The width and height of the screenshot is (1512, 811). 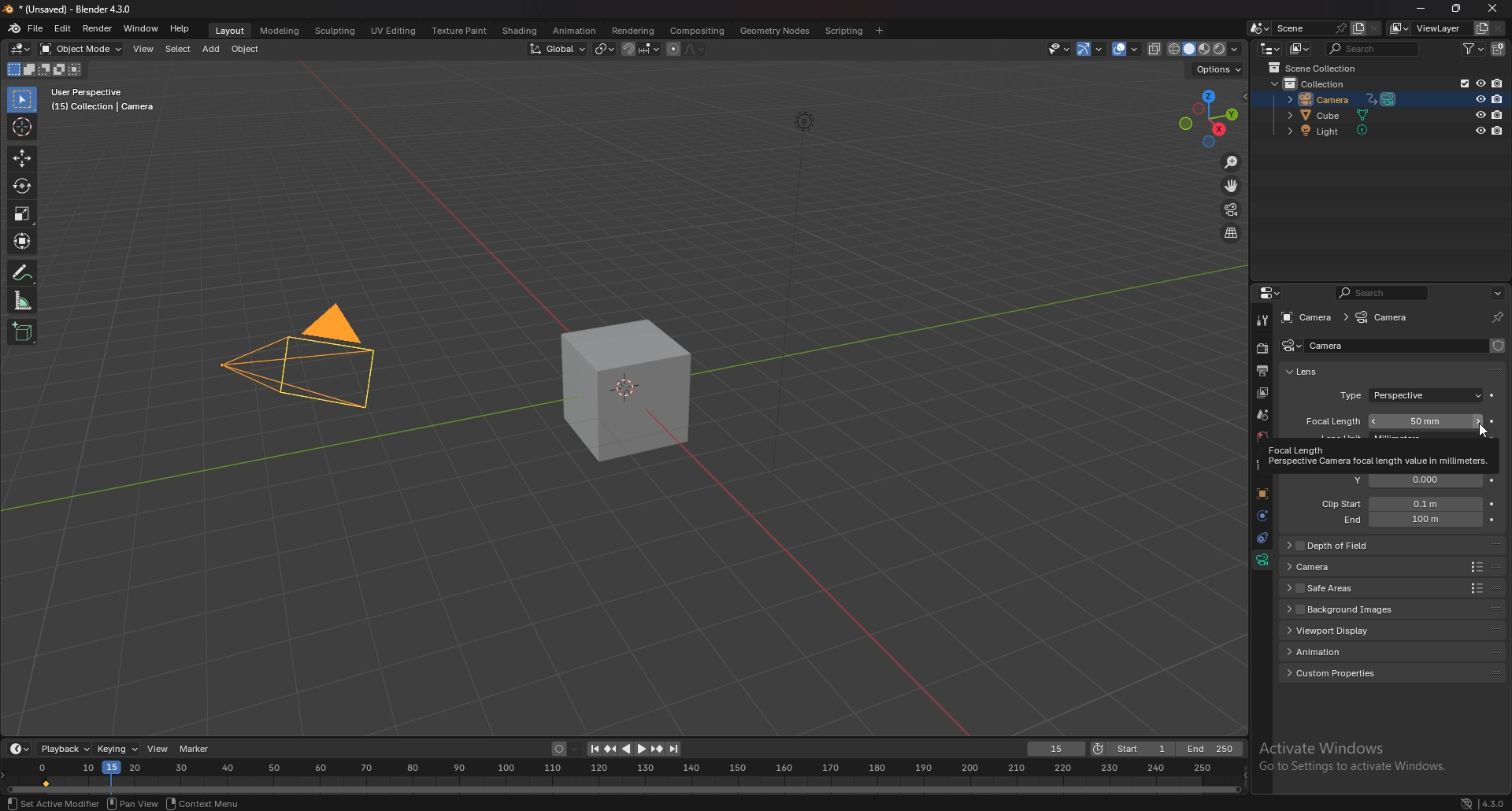 What do you see at coordinates (97, 28) in the screenshot?
I see `render` at bounding box center [97, 28].